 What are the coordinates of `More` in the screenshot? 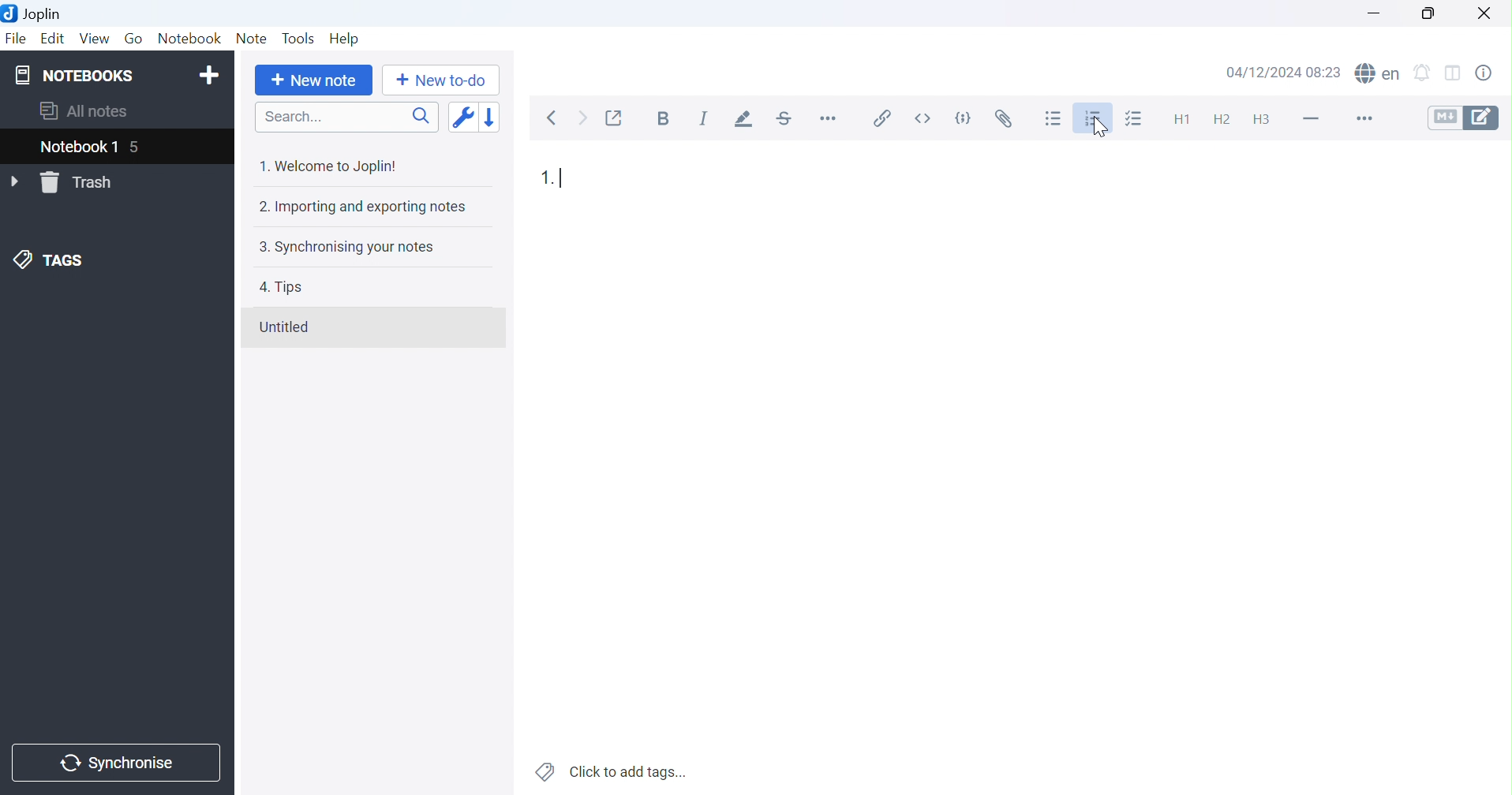 It's located at (1361, 118).